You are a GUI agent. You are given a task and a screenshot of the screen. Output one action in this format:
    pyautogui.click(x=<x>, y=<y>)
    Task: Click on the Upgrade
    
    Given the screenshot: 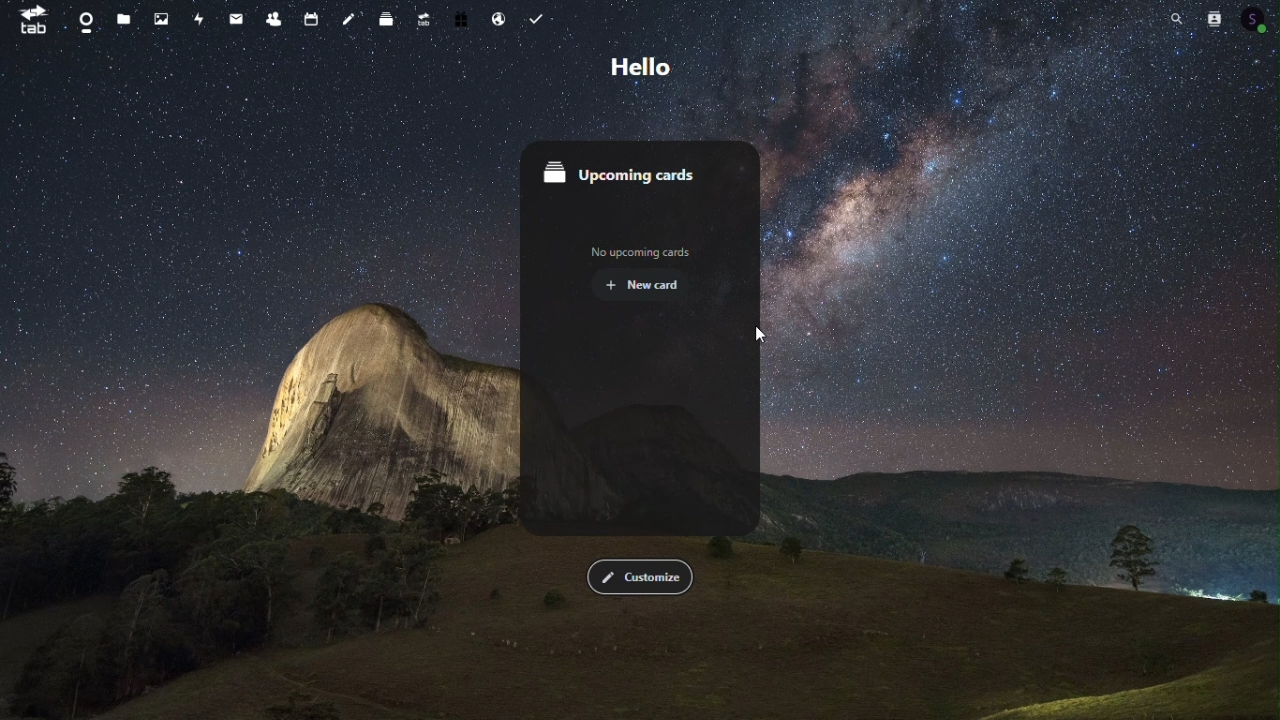 What is the action you would take?
    pyautogui.click(x=425, y=16)
    